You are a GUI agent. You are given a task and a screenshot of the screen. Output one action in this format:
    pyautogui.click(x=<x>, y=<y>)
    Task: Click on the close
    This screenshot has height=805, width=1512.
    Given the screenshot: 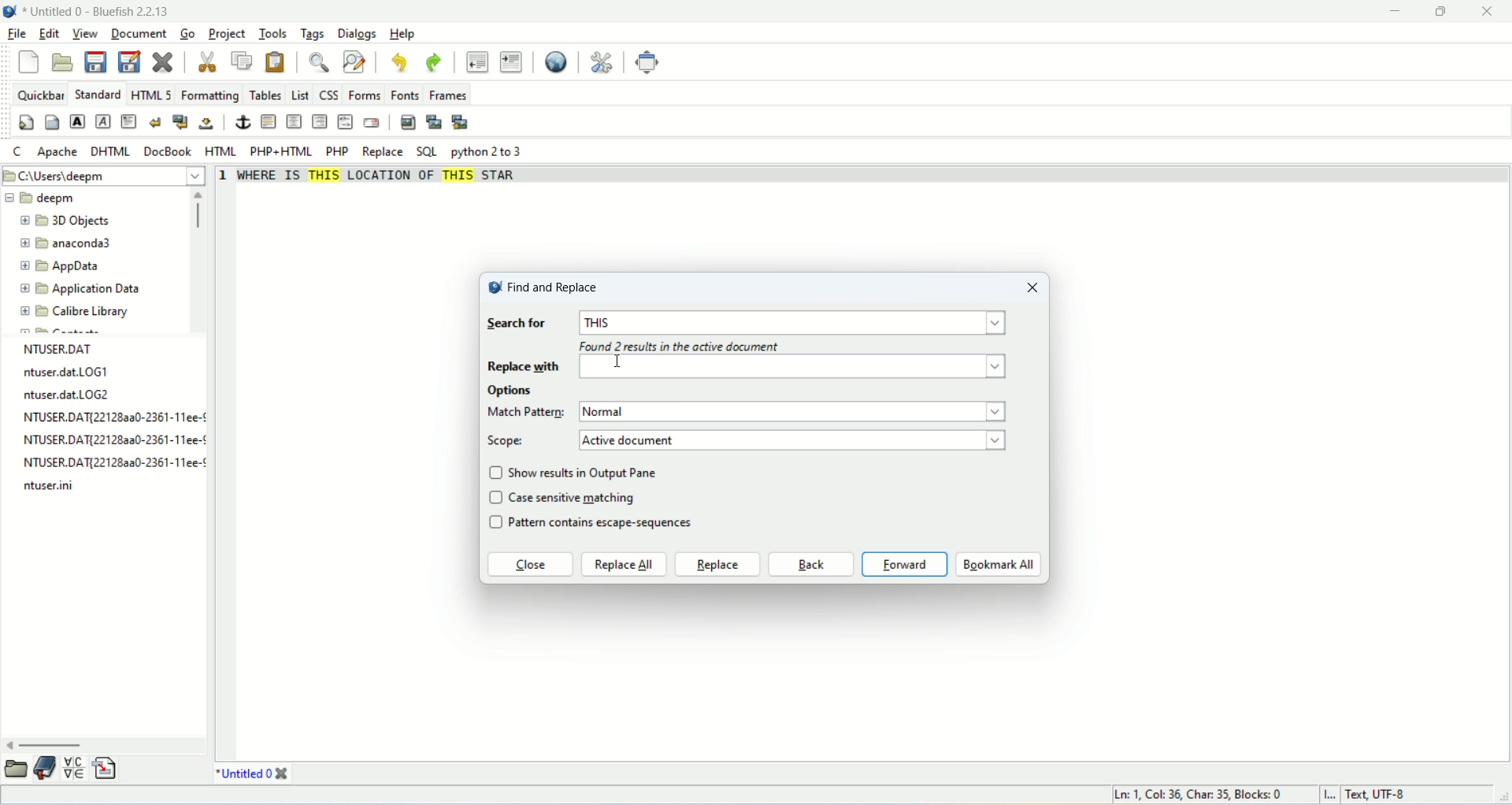 What is the action you would take?
    pyautogui.click(x=162, y=61)
    